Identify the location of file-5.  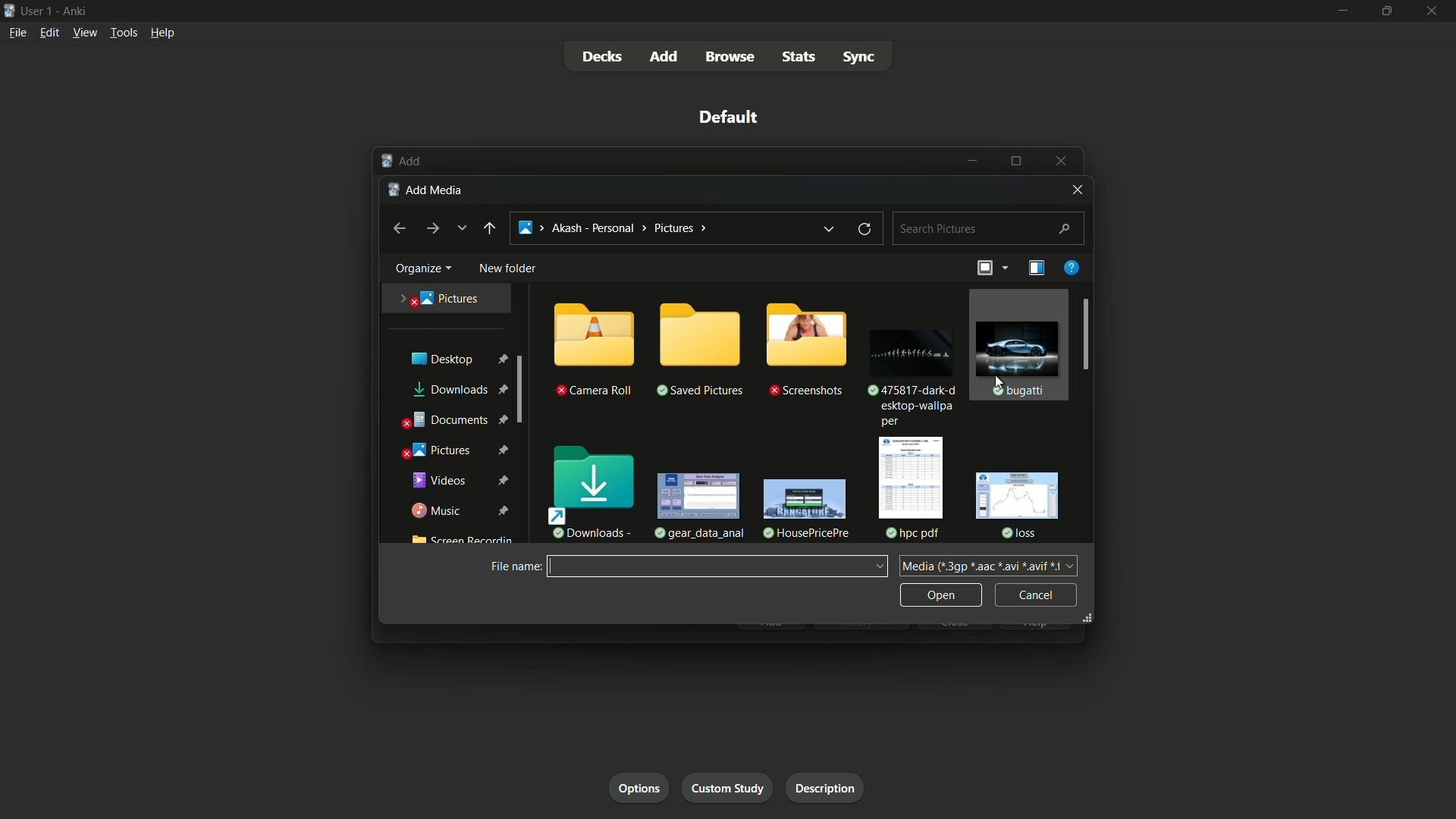
(909, 486).